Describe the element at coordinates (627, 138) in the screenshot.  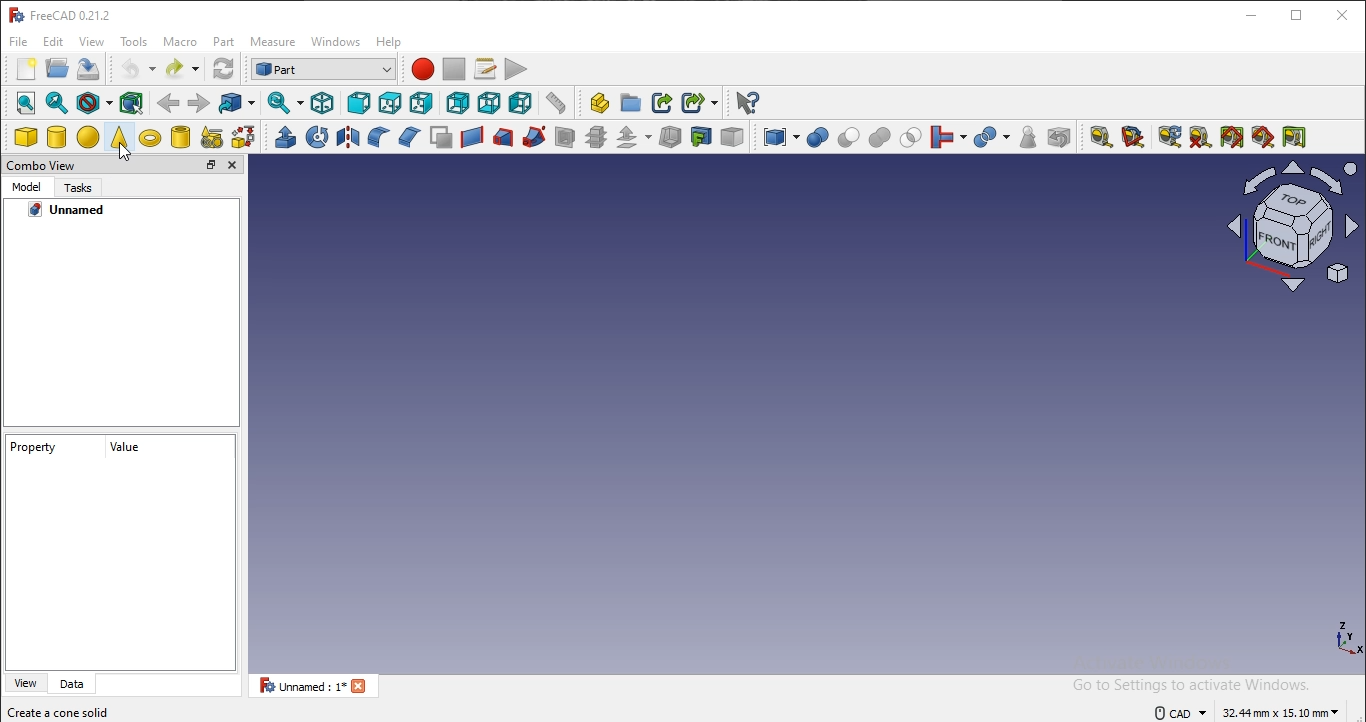
I see `offset` at that location.